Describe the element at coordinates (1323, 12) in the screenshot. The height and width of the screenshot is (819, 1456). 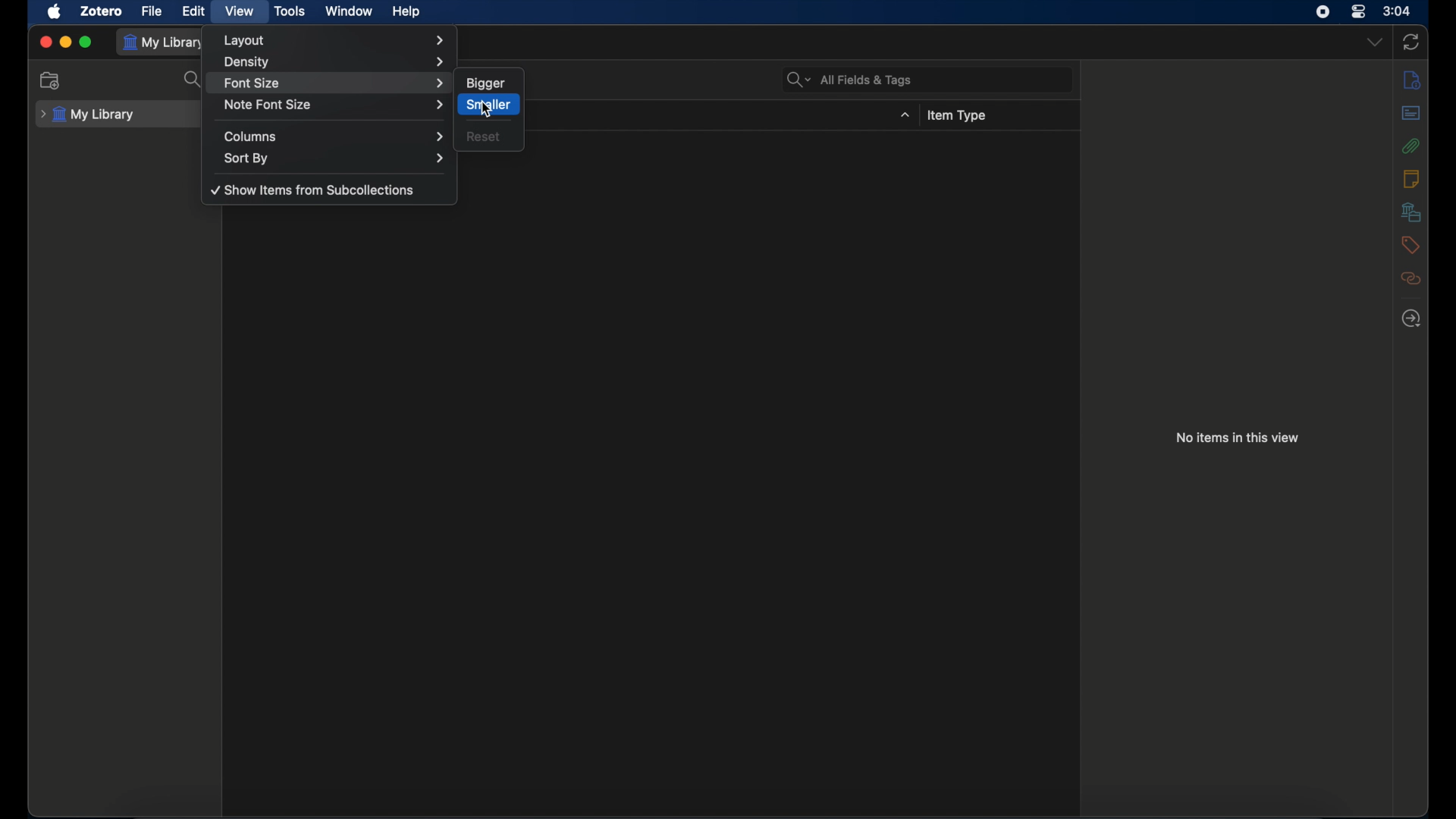
I see `screen recorder` at that location.